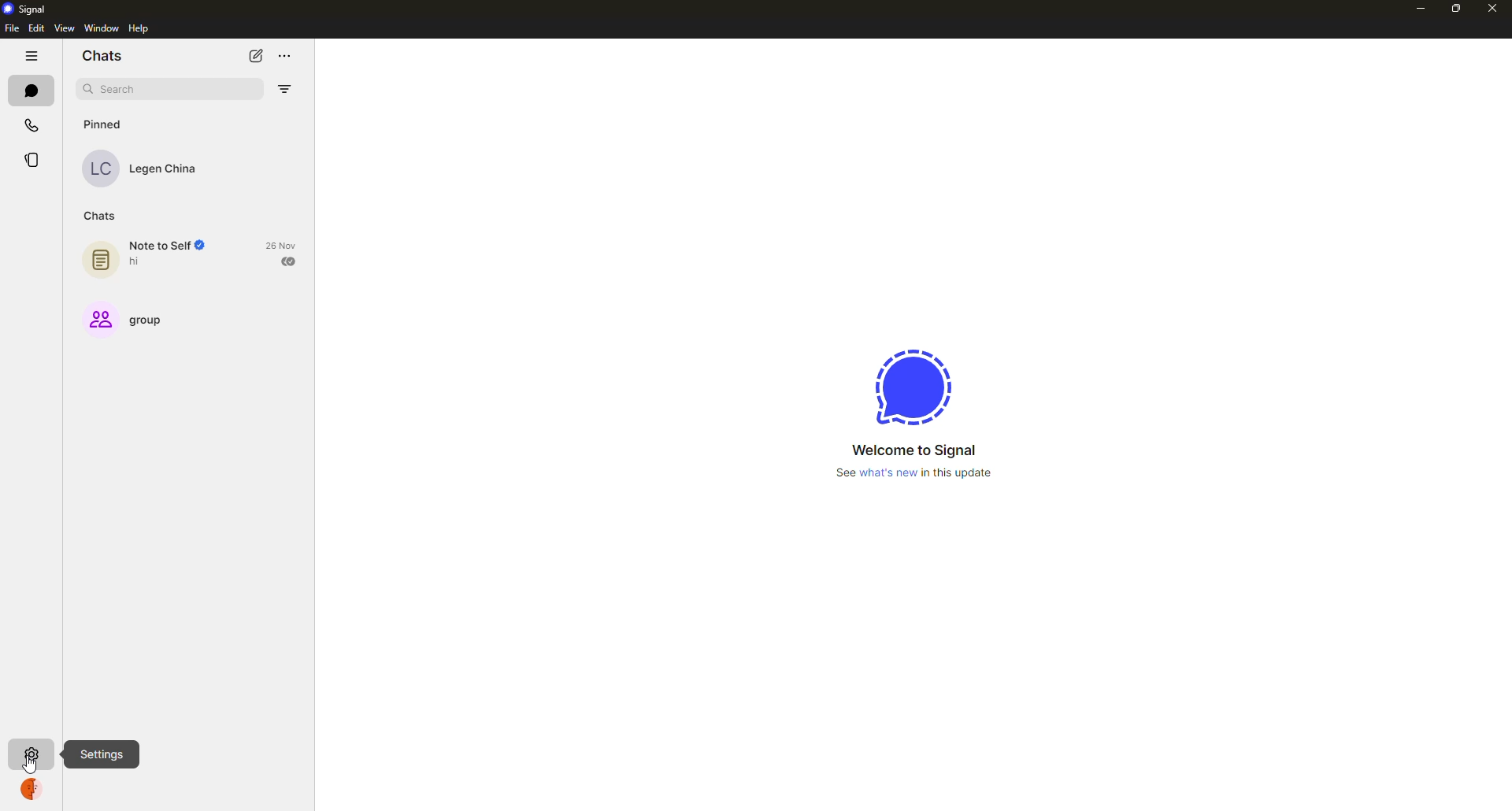  Describe the element at coordinates (27, 9) in the screenshot. I see `signal` at that location.